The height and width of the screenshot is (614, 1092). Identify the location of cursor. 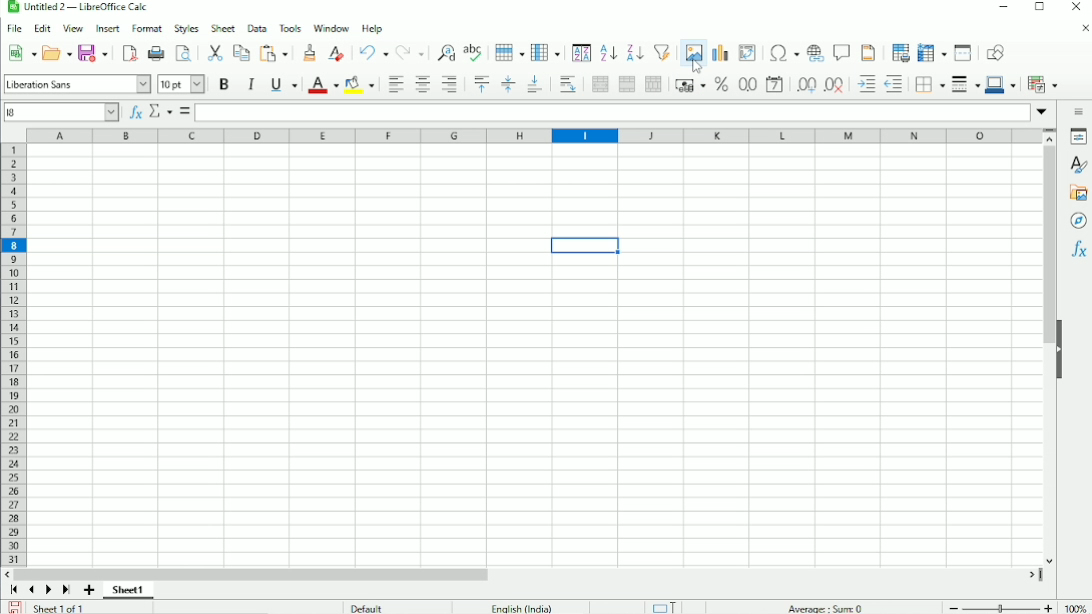
(699, 68).